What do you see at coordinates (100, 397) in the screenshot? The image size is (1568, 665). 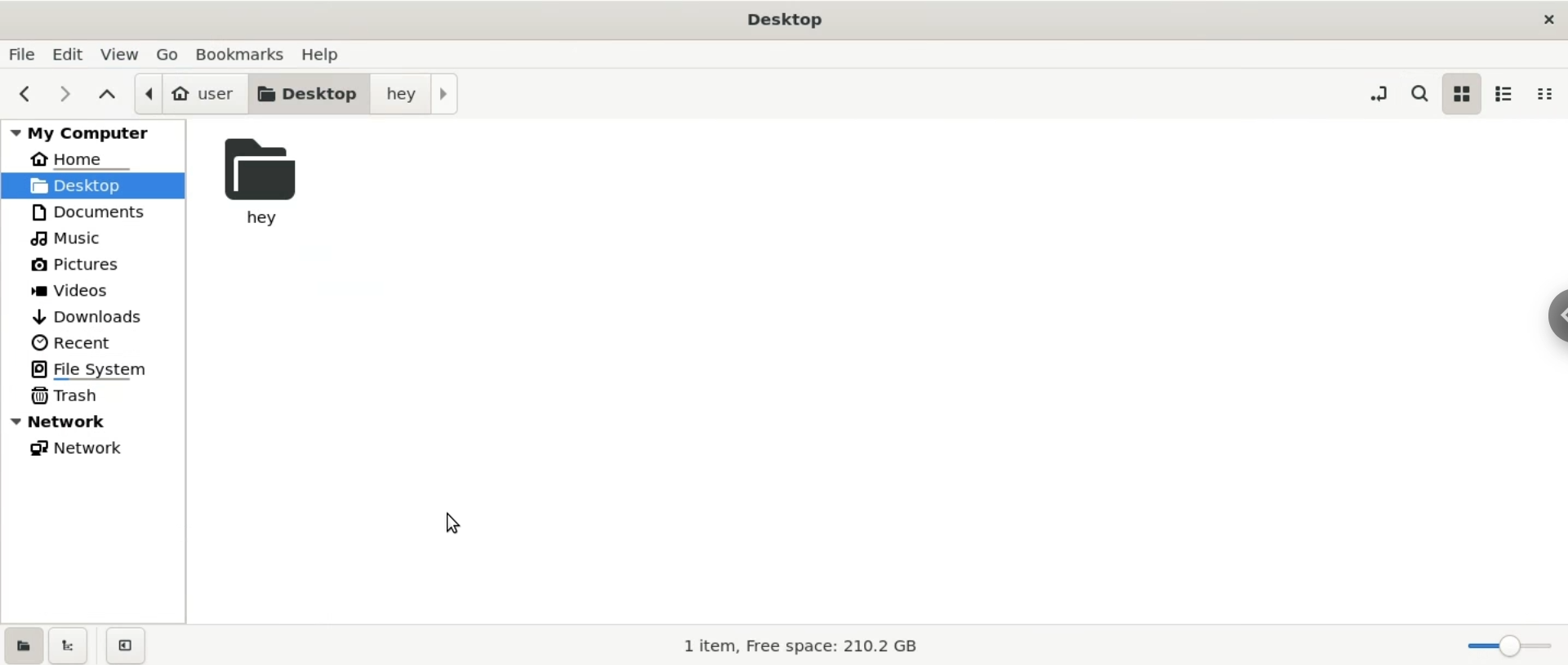 I see `trash` at bounding box center [100, 397].